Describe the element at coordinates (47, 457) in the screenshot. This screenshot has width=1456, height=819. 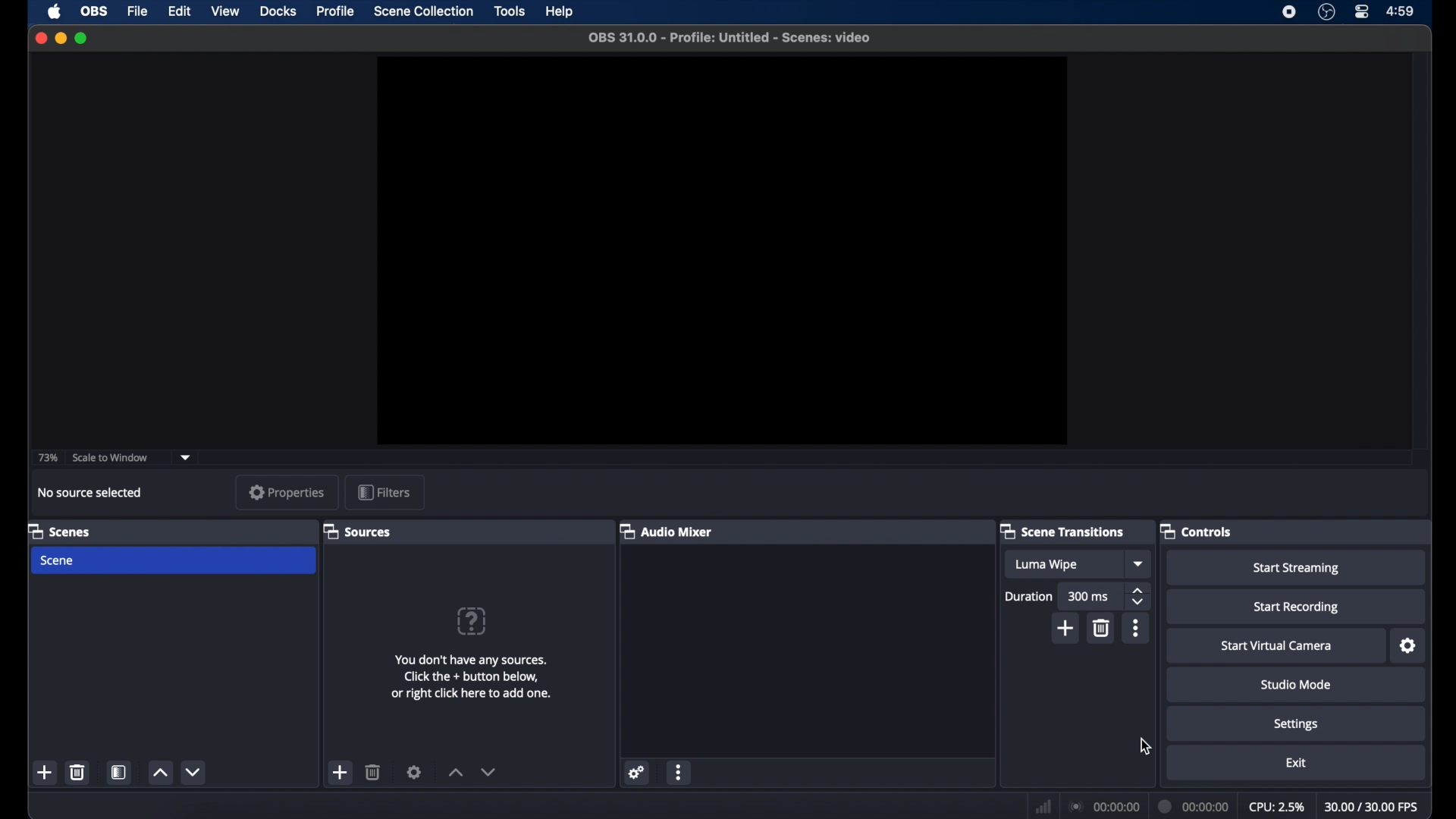
I see `73%` at that location.